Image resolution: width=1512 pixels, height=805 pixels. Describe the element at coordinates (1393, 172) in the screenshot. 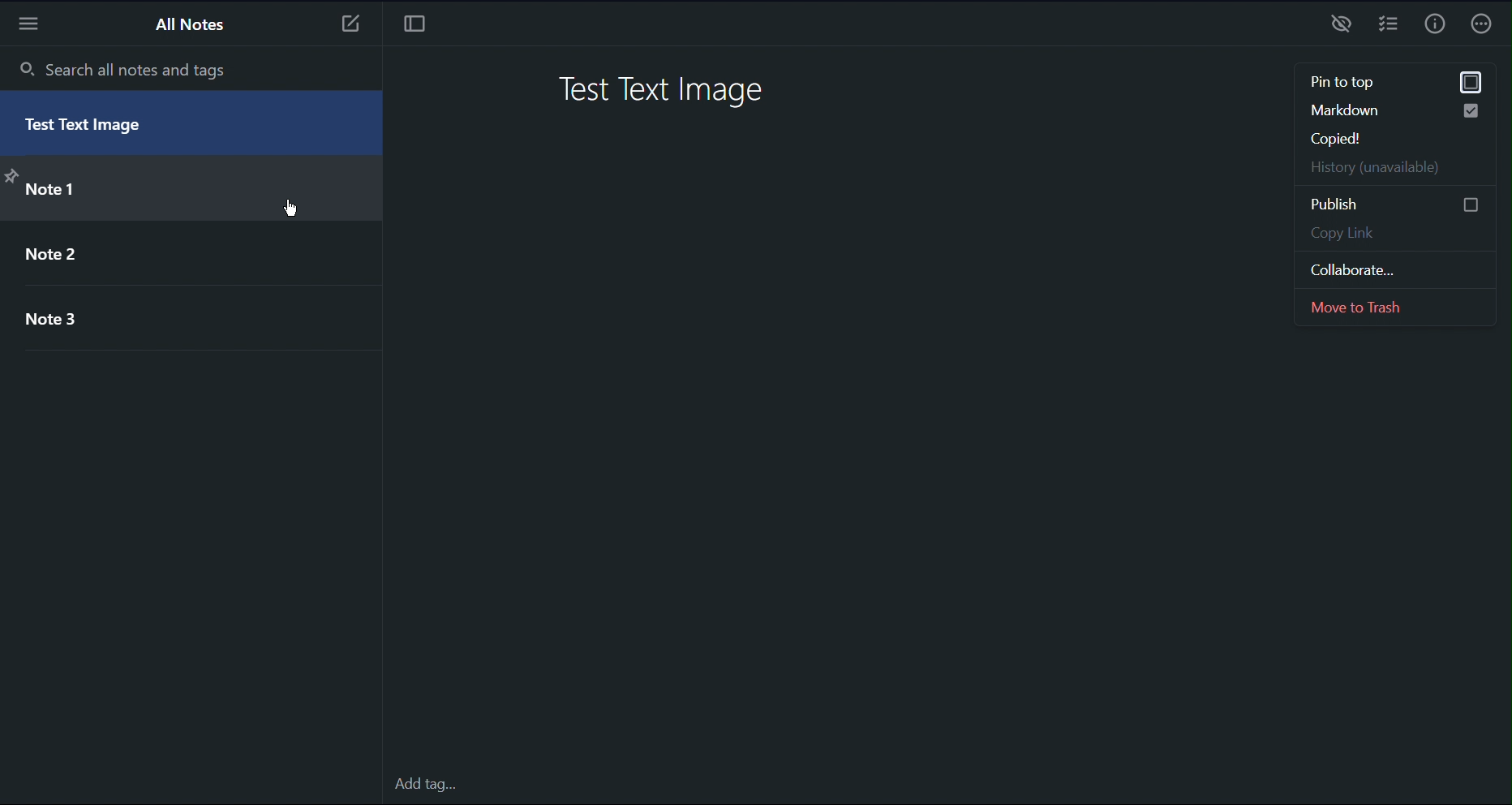

I see `History` at that location.